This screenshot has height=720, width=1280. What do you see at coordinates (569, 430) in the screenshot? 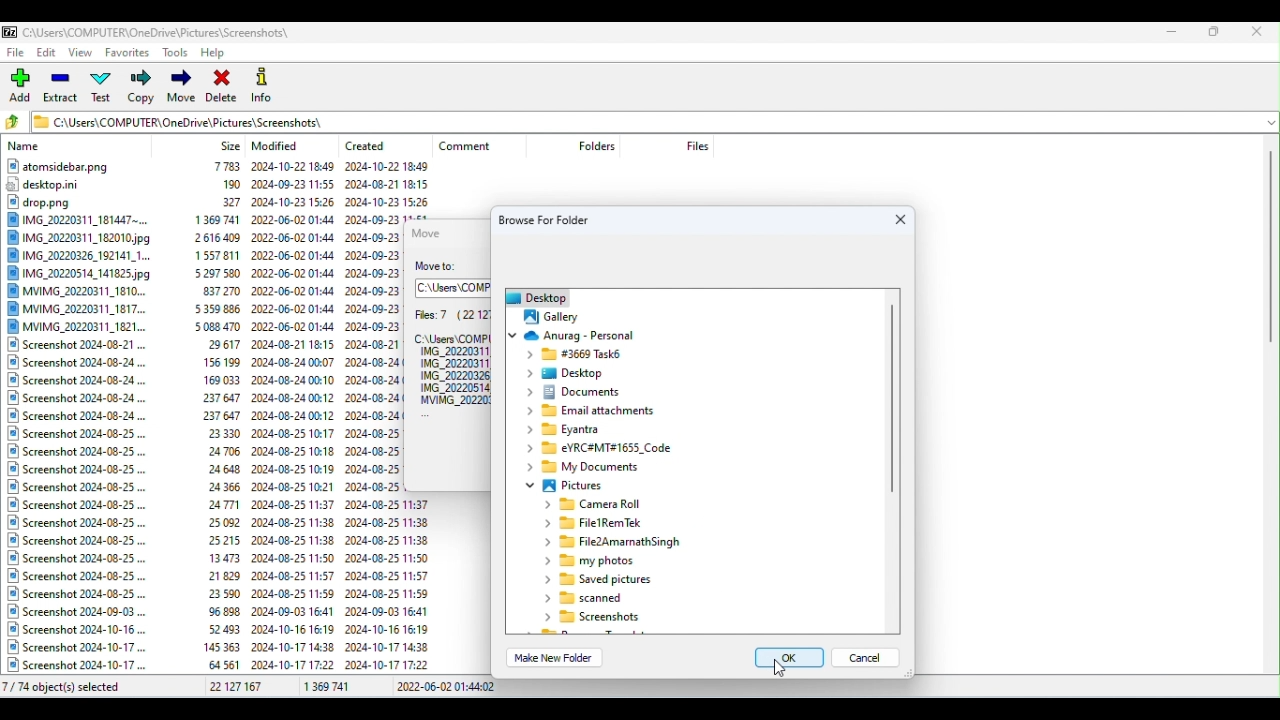
I see `Folder` at bounding box center [569, 430].